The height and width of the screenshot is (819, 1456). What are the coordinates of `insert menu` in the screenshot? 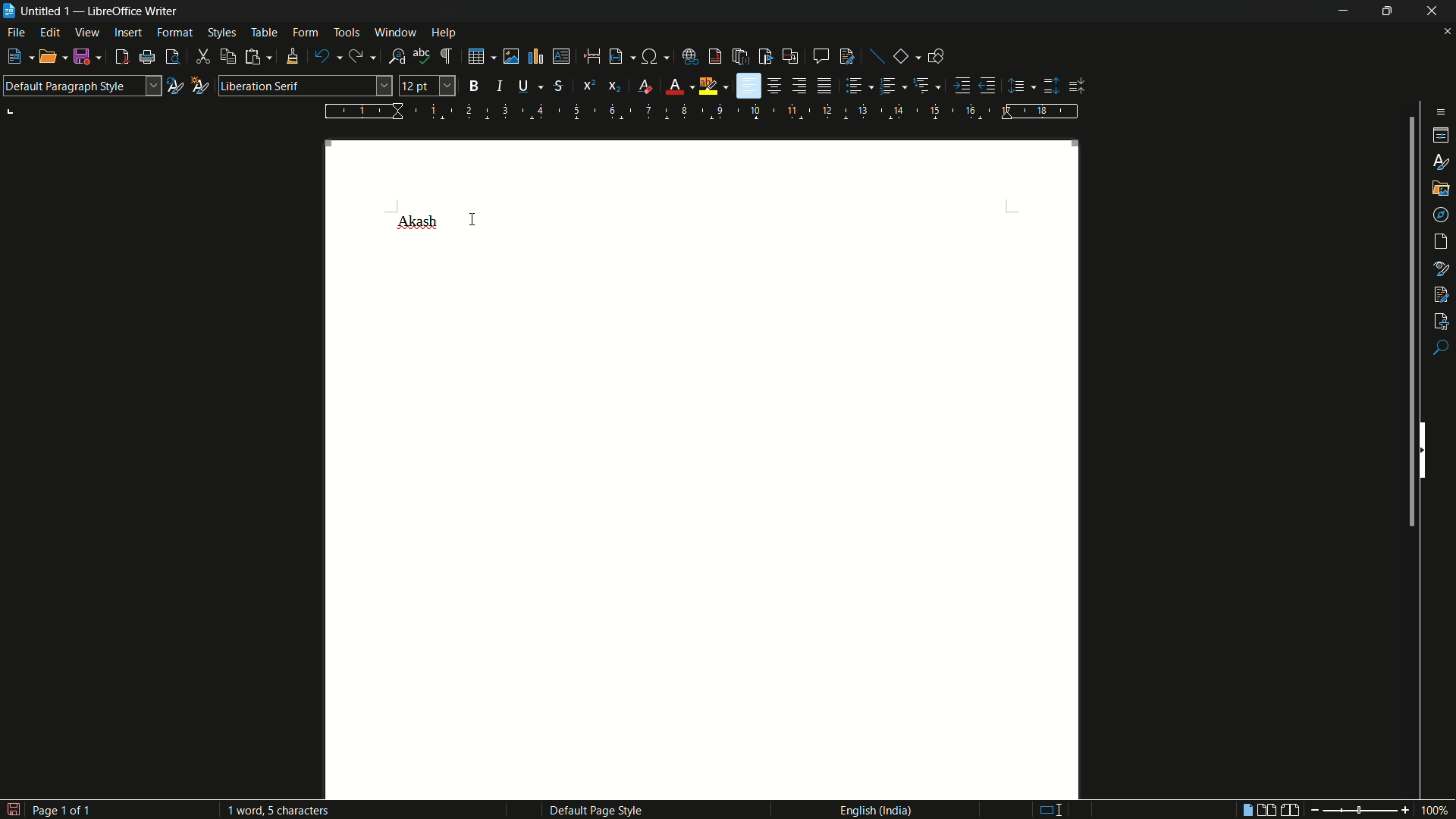 It's located at (128, 32).